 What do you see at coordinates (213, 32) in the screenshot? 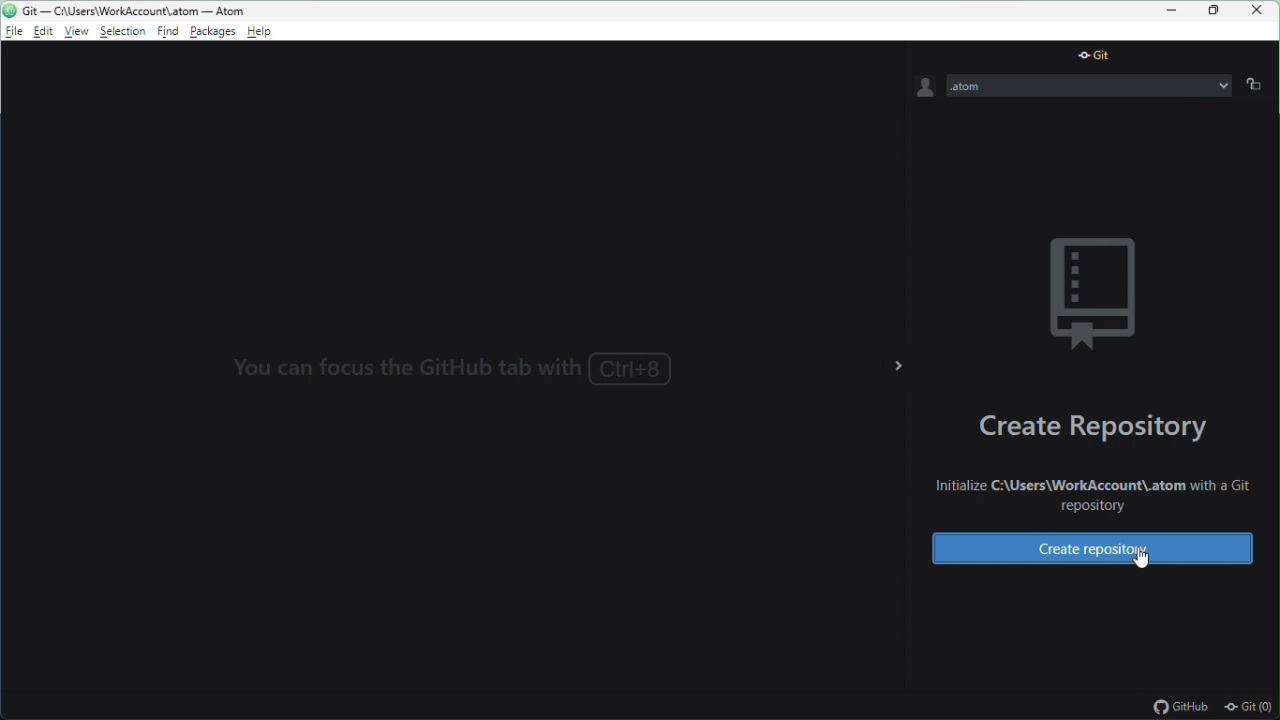
I see `package` at bounding box center [213, 32].